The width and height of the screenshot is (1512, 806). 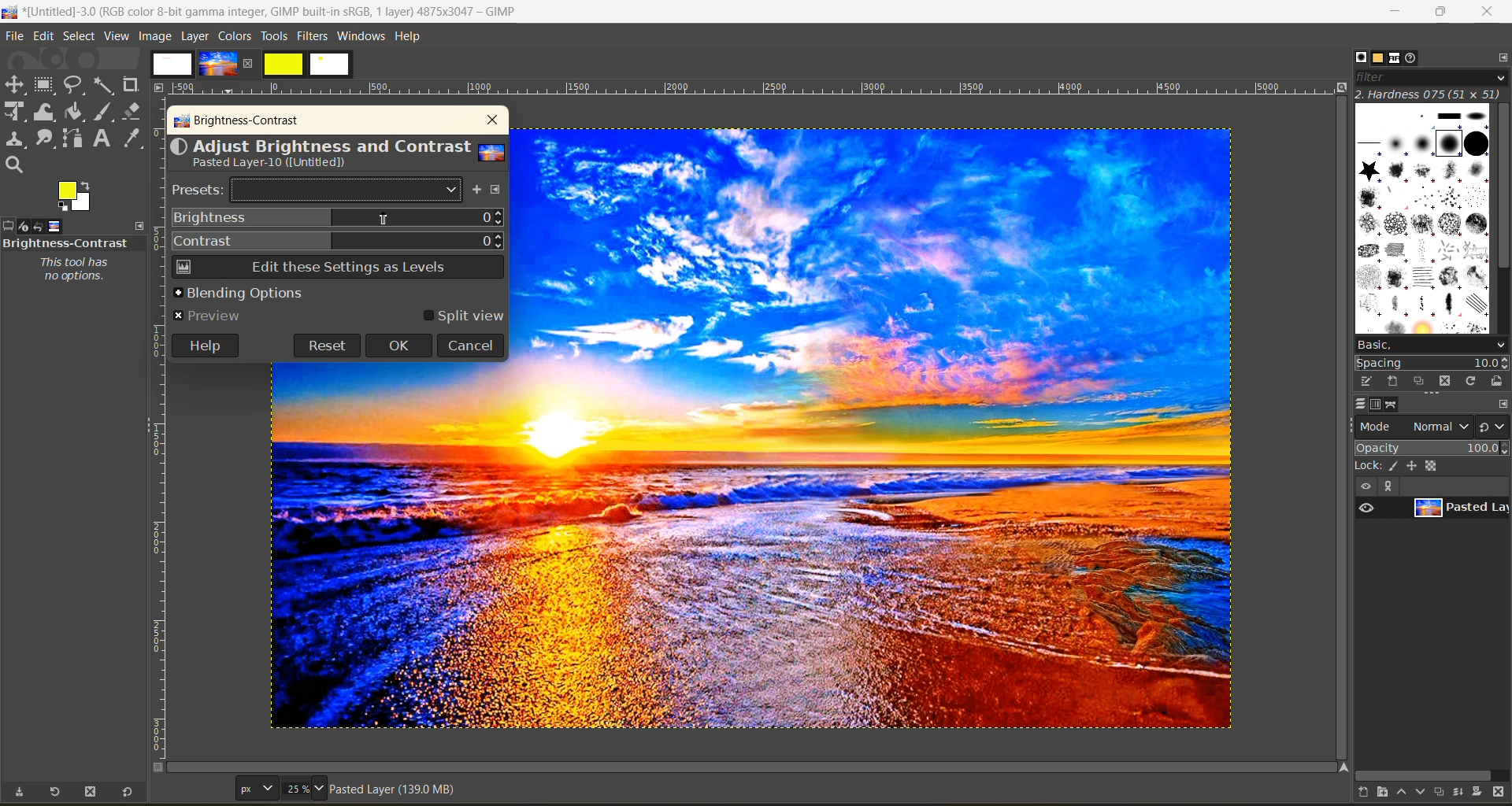 I want to click on Image, so click(x=394, y=545).